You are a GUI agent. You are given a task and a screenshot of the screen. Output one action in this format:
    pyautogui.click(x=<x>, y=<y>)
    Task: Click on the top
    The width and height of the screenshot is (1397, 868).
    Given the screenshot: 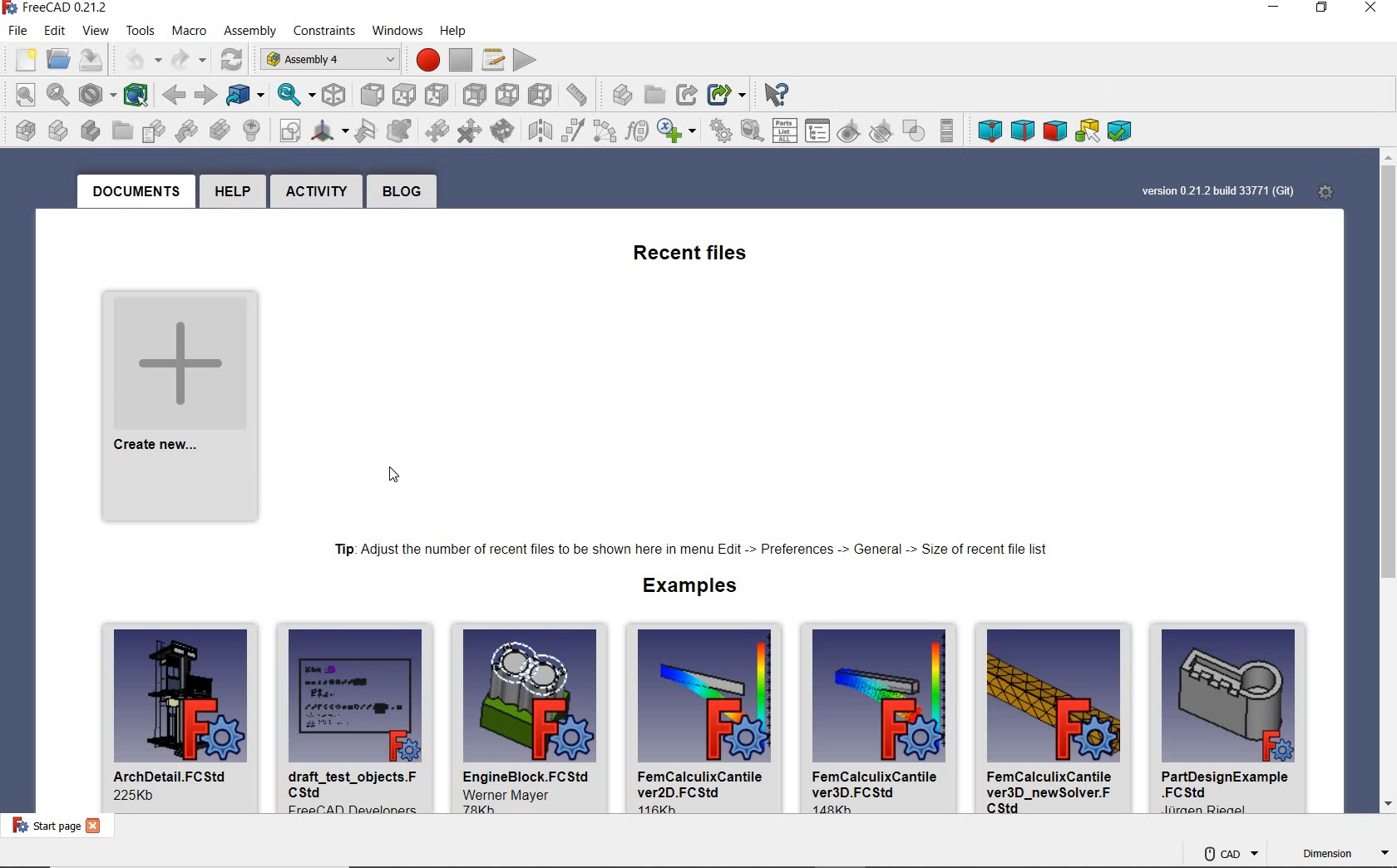 What is the action you would take?
    pyautogui.click(x=406, y=95)
    